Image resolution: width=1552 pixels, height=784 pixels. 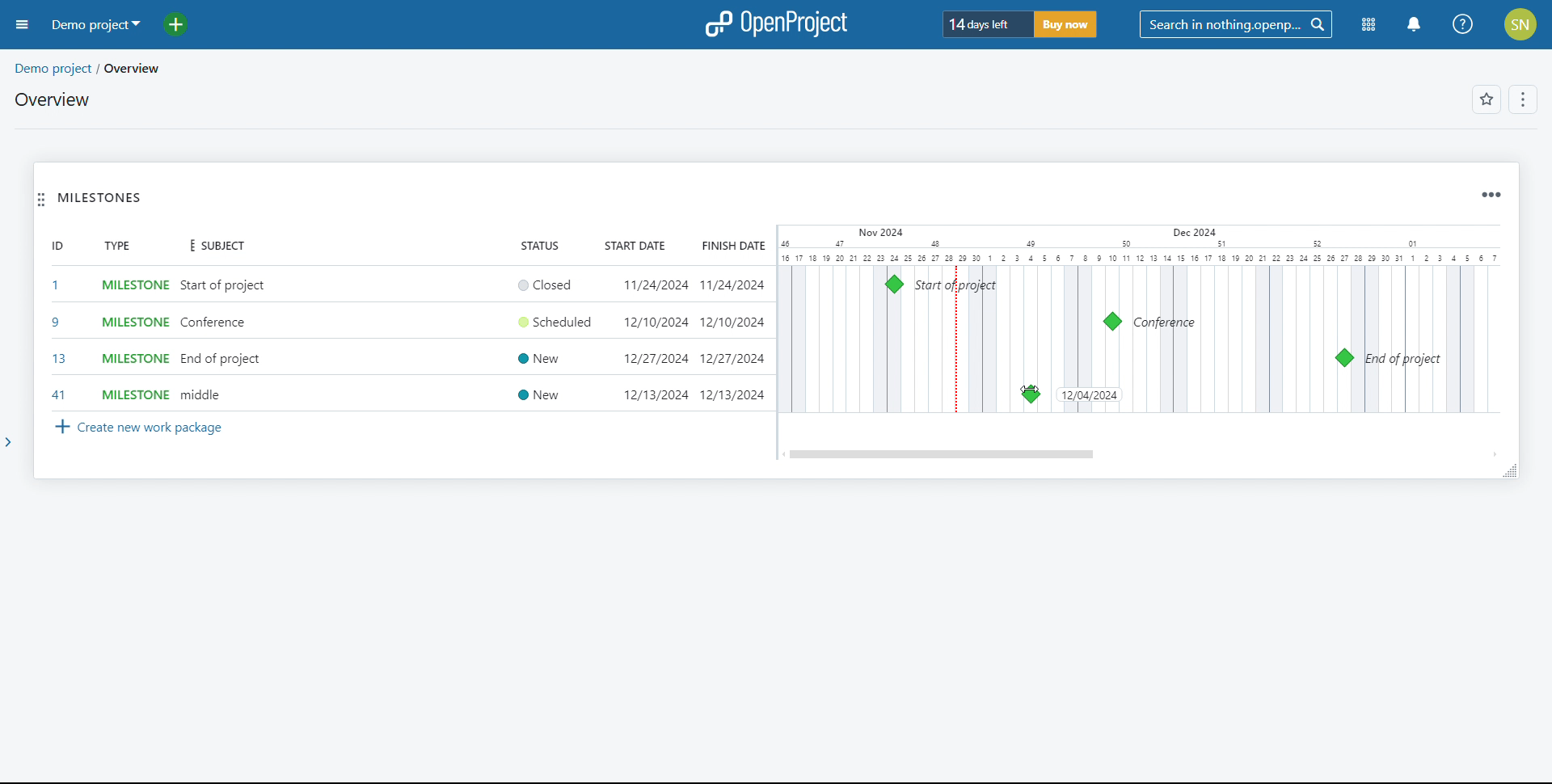 I want to click on milestone 13, so click(x=1343, y=358).